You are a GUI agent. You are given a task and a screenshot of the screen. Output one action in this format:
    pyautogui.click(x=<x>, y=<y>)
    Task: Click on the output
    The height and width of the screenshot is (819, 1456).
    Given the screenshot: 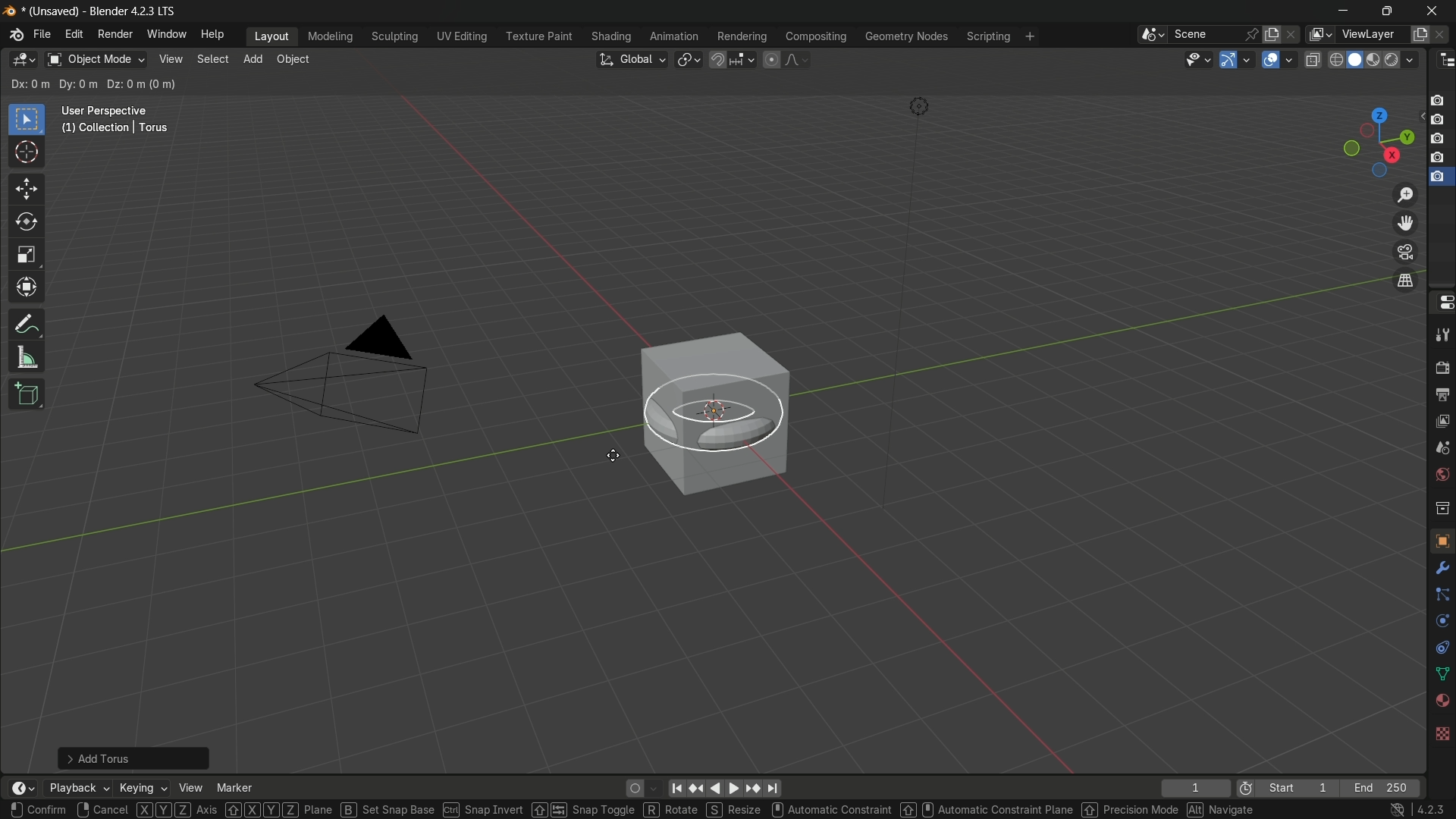 What is the action you would take?
    pyautogui.click(x=1440, y=395)
    